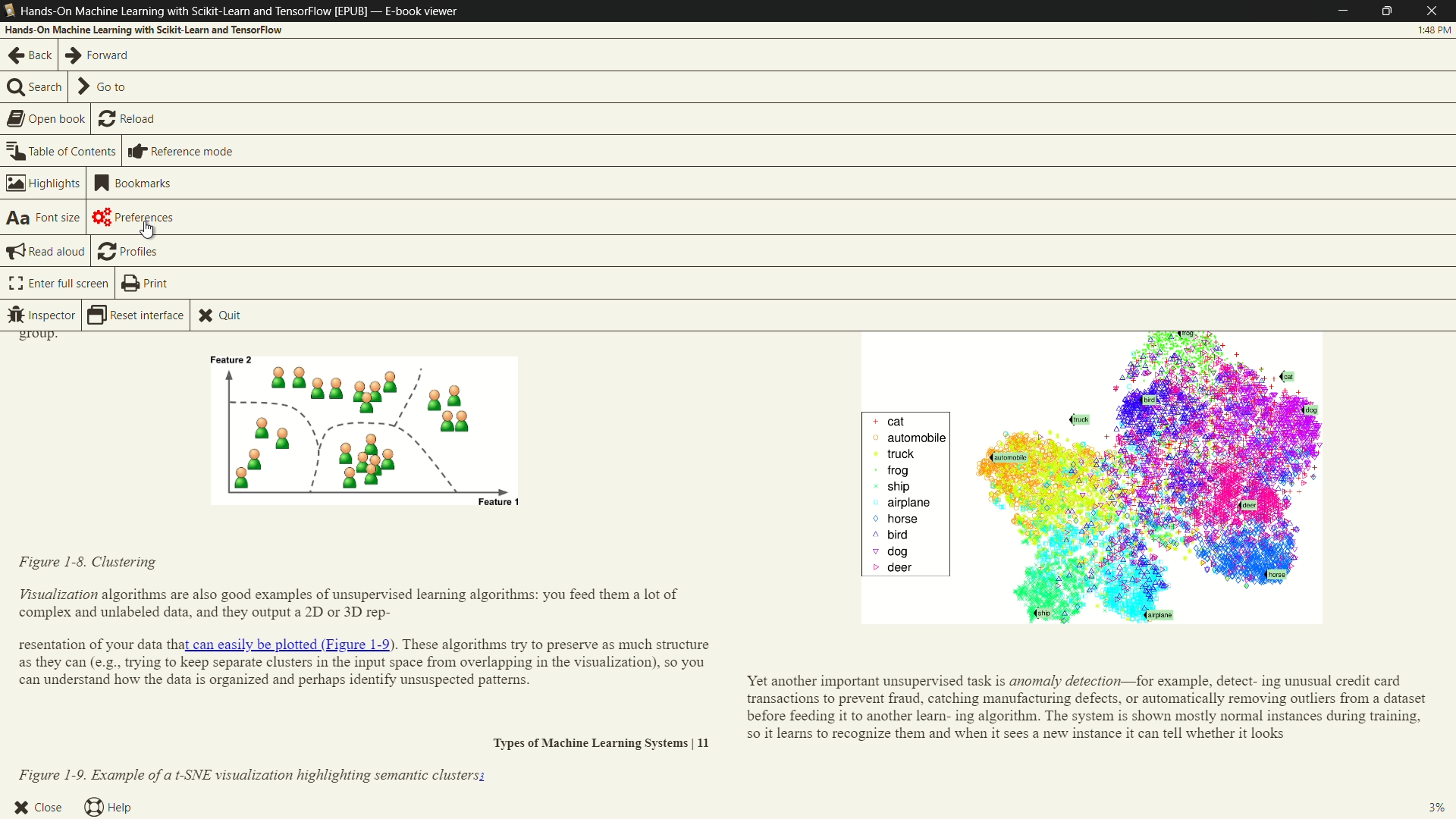  What do you see at coordinates (46, 252) in the screenshot?
I see `read aloud` at bounding box center [46, 252].